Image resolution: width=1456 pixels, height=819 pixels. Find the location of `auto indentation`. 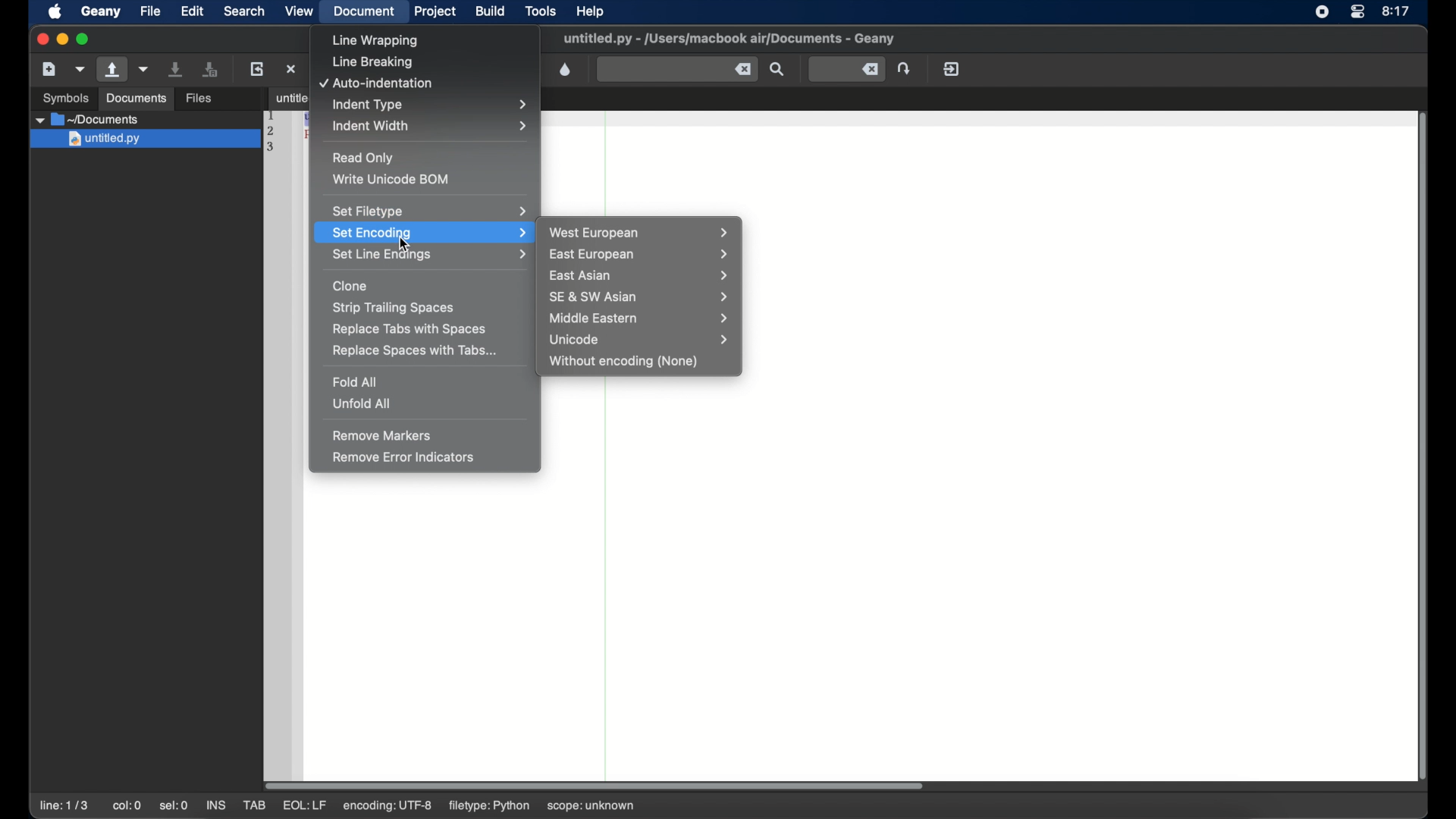

auto indentation is located at coordinates (377, 84).